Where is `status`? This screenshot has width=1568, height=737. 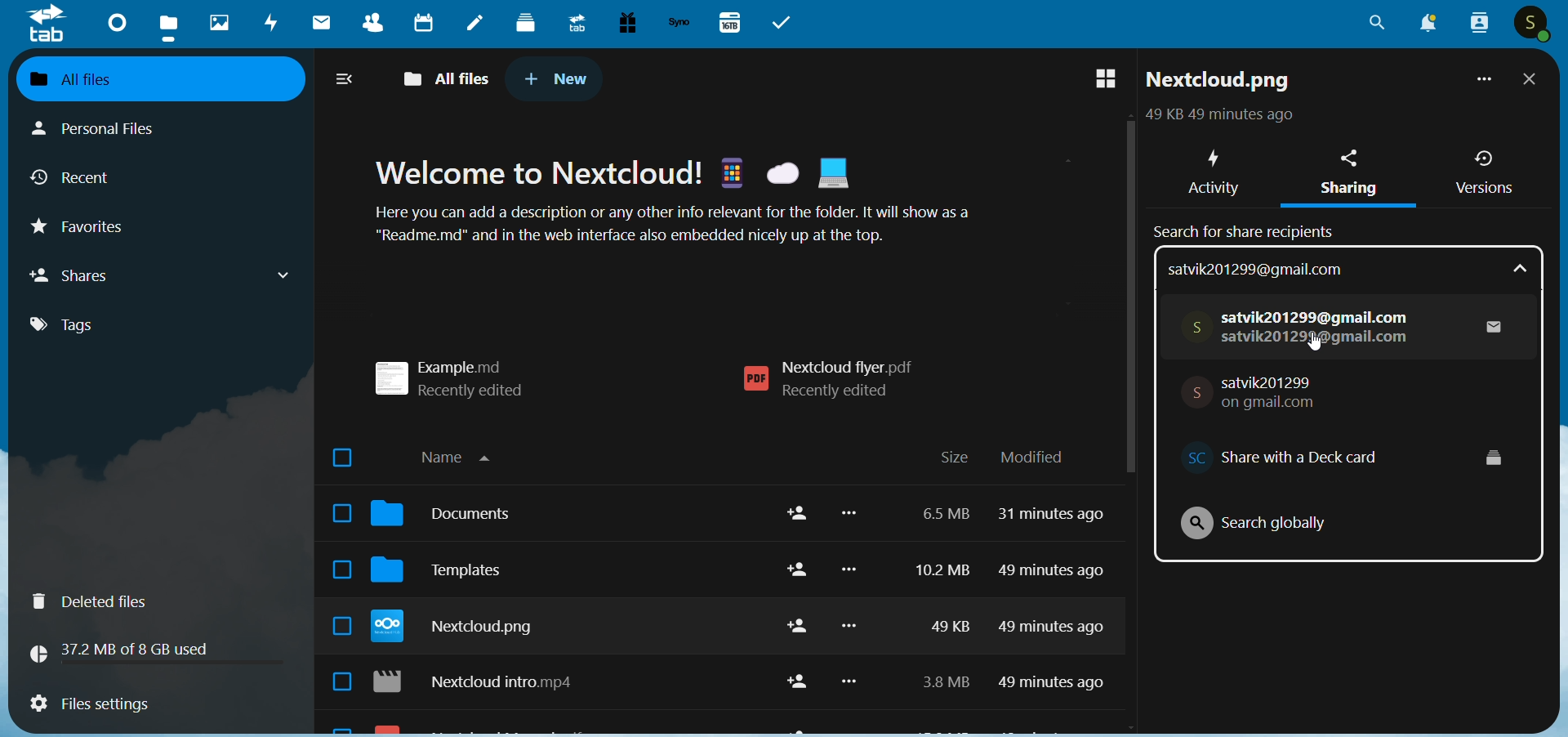 status is located at coordinates (1216, 117).